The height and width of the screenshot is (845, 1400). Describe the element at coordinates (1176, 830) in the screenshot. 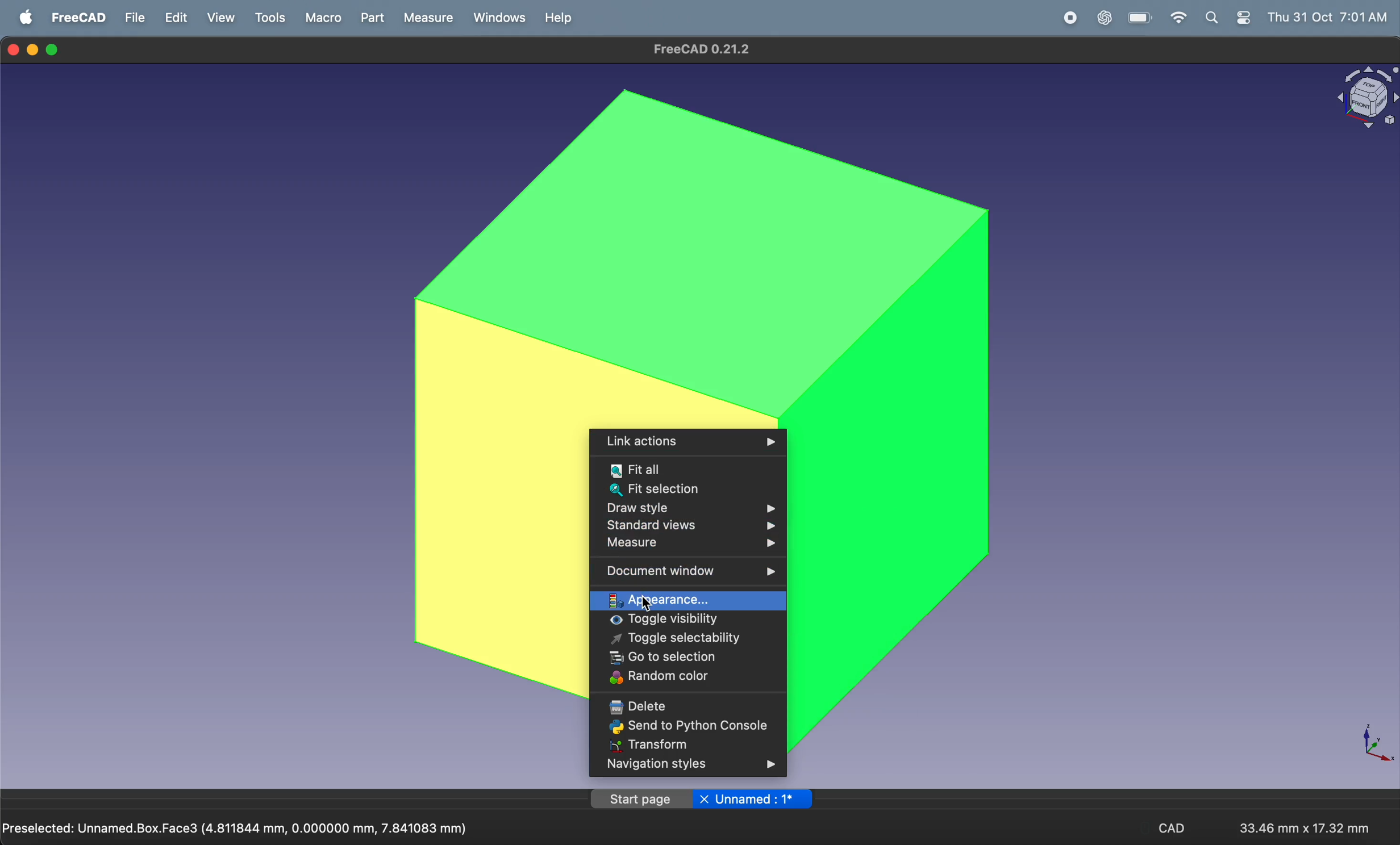

I see `CAD` at that location.